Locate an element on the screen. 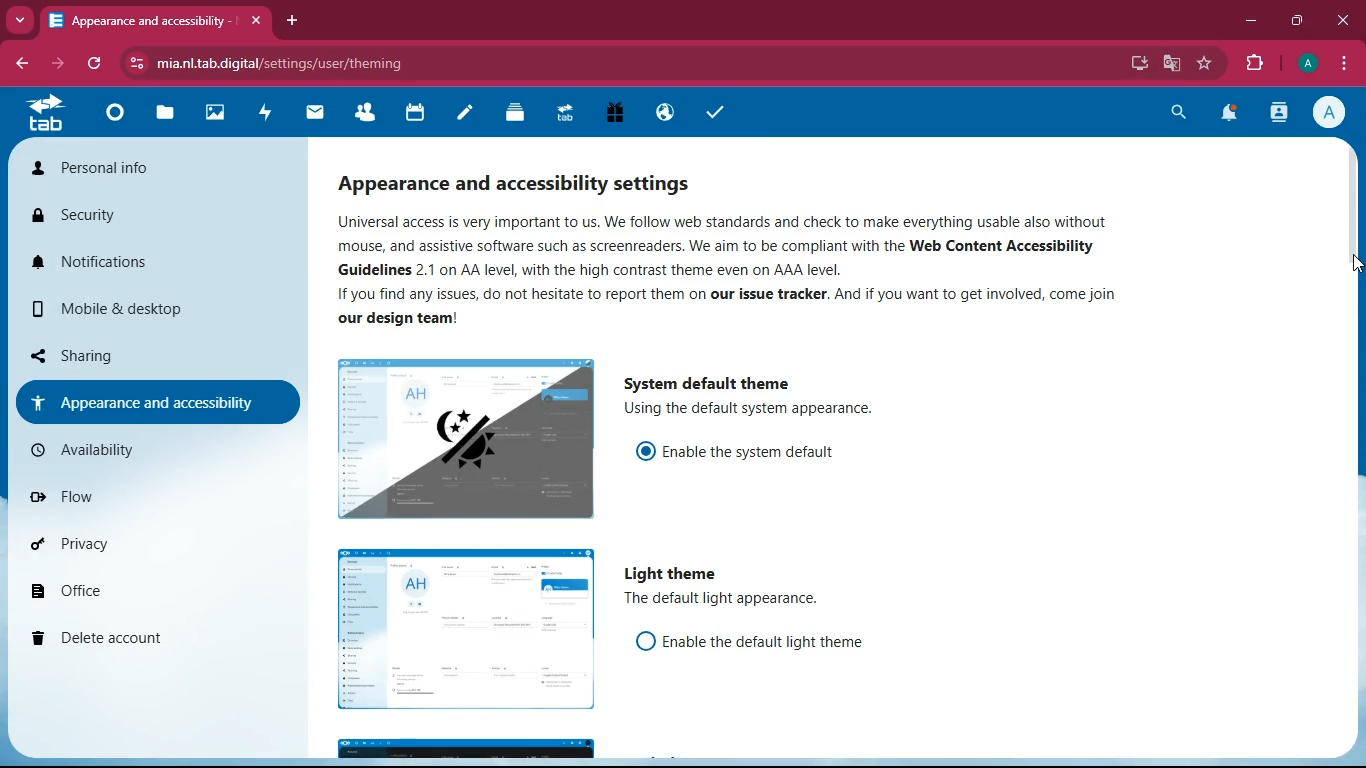  profile is located at coordinates (1307, 63).